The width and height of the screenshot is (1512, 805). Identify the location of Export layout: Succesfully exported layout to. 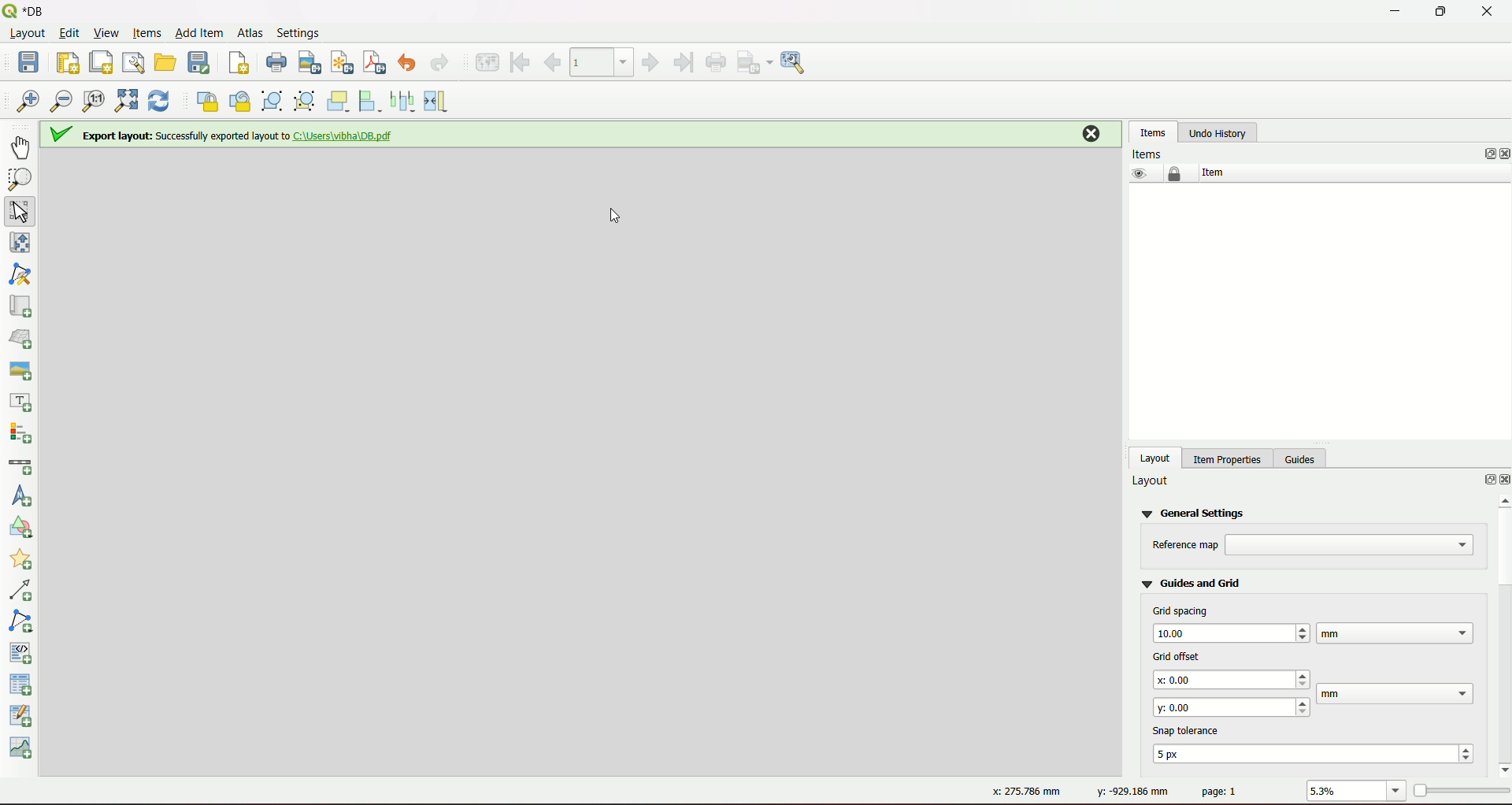
(224, 136).